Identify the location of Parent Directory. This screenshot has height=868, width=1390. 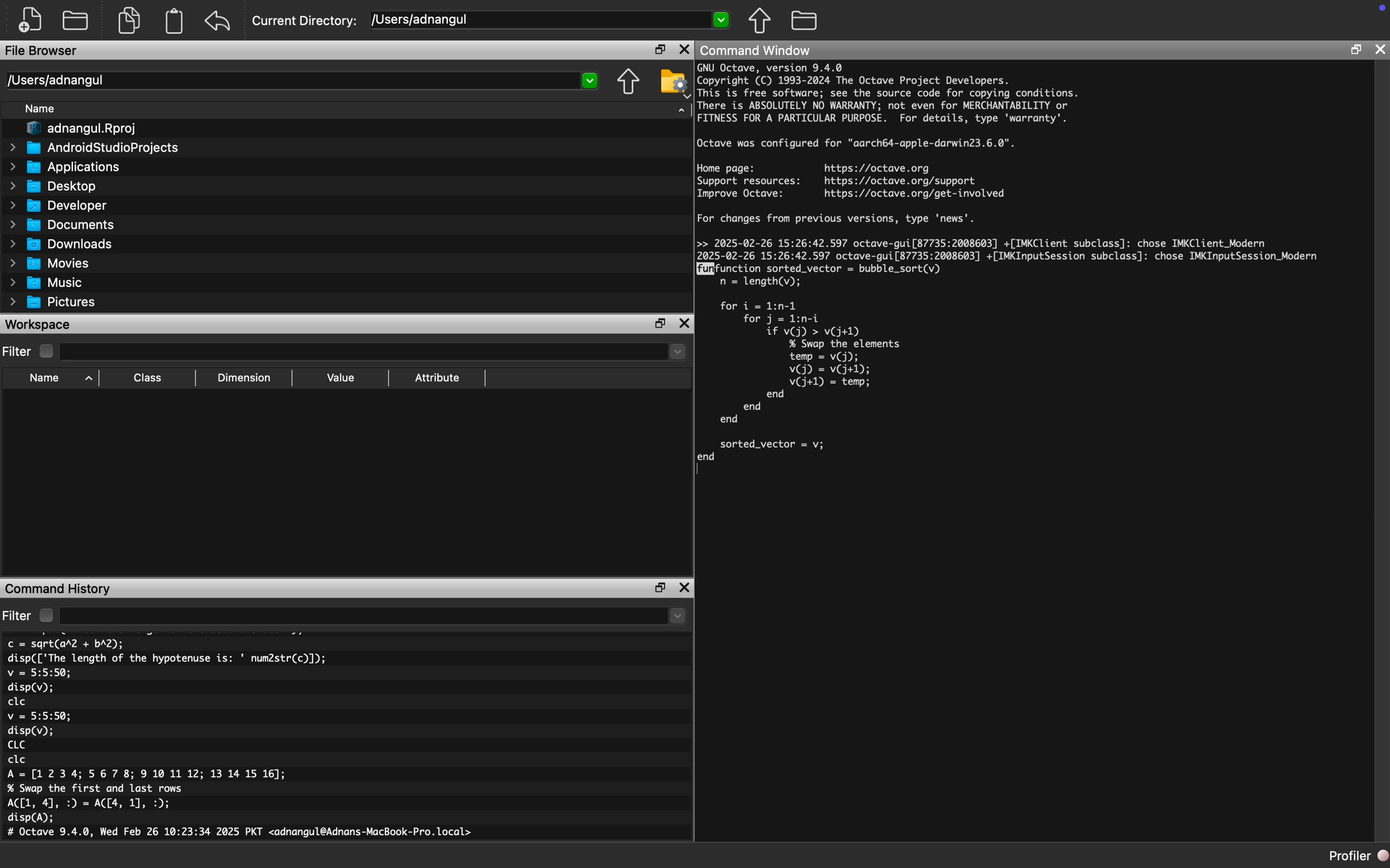
(760, 20).